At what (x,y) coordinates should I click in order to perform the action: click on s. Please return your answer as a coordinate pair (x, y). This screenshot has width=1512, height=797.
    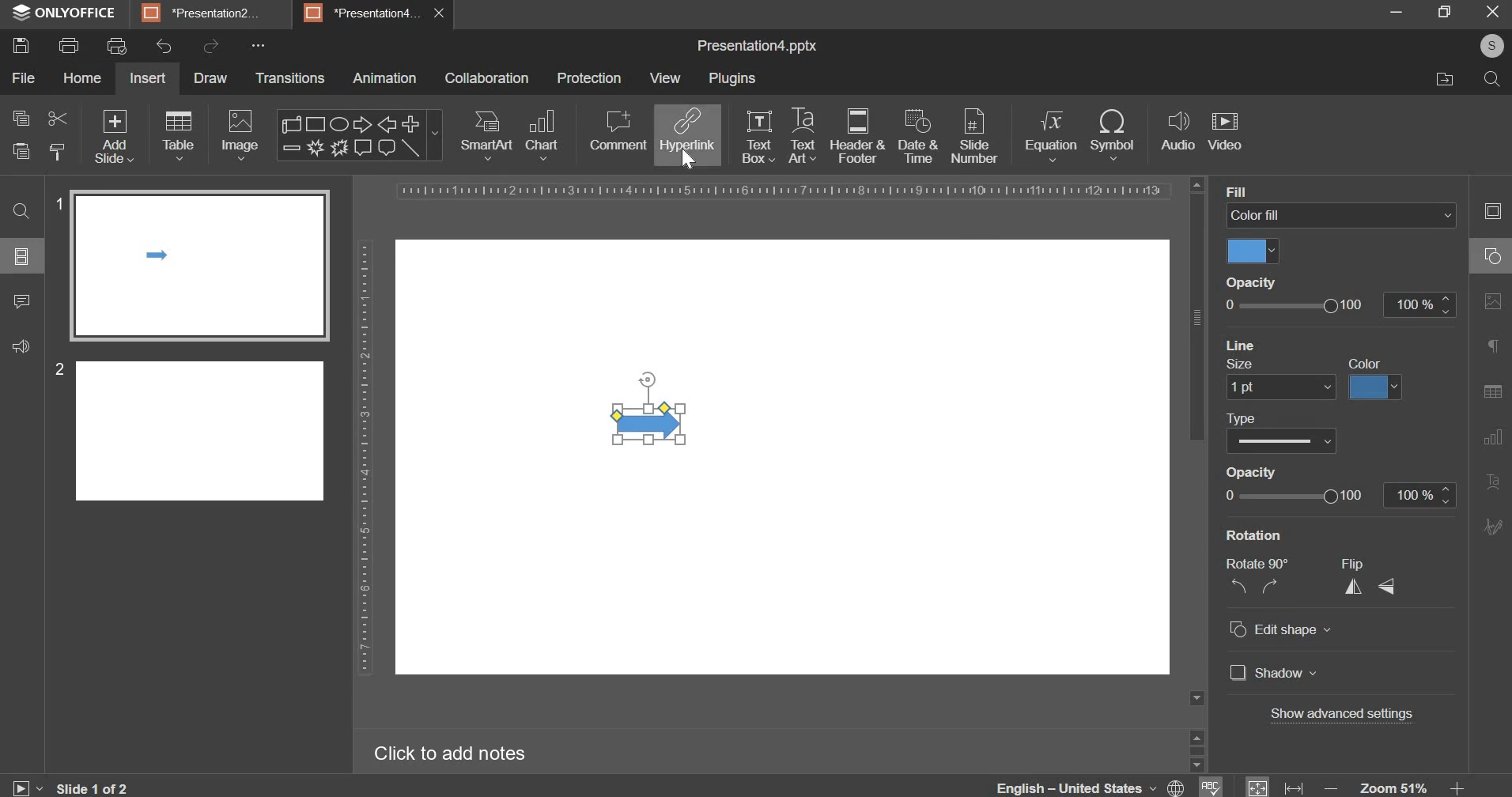
    Looking at the image, I should click on (1495, 46).